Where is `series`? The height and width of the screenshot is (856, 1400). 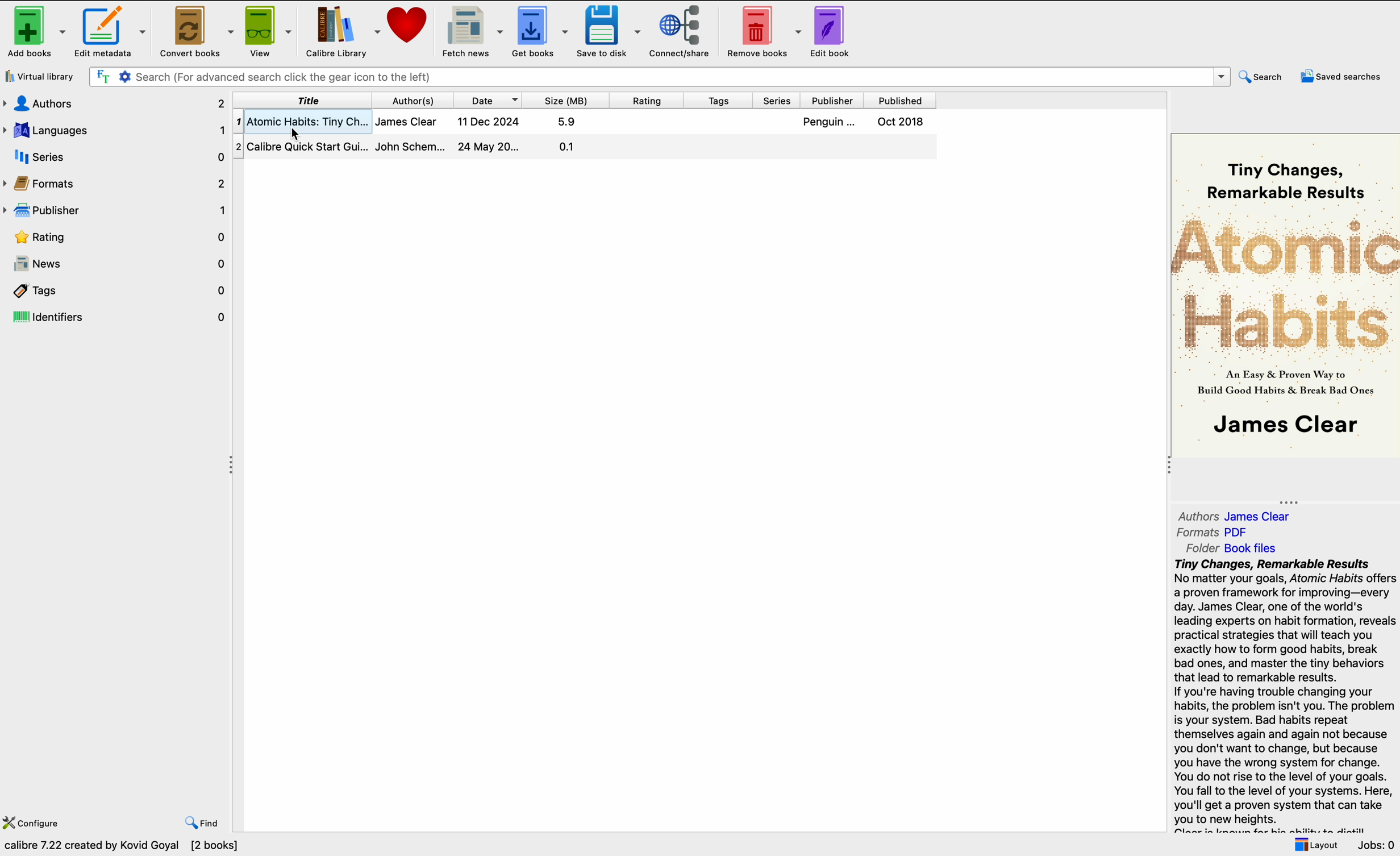
series is located at coordinates (116, 156).